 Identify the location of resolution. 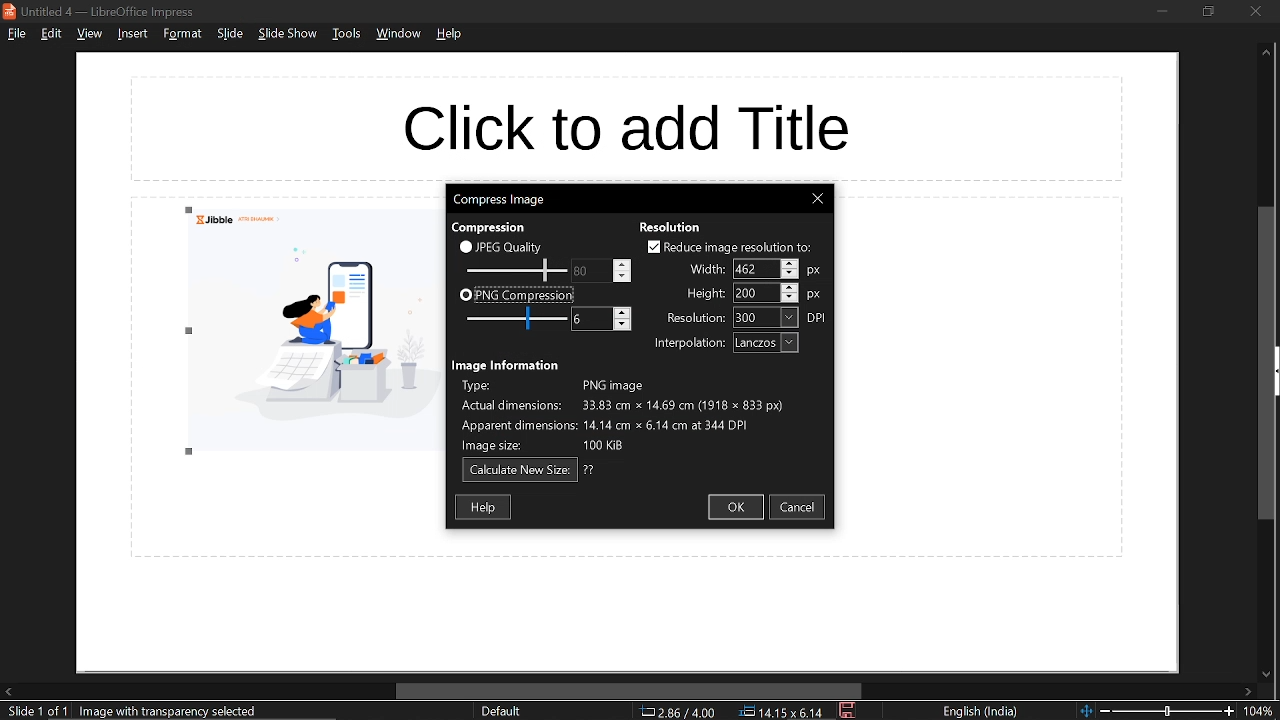
(671, 227).